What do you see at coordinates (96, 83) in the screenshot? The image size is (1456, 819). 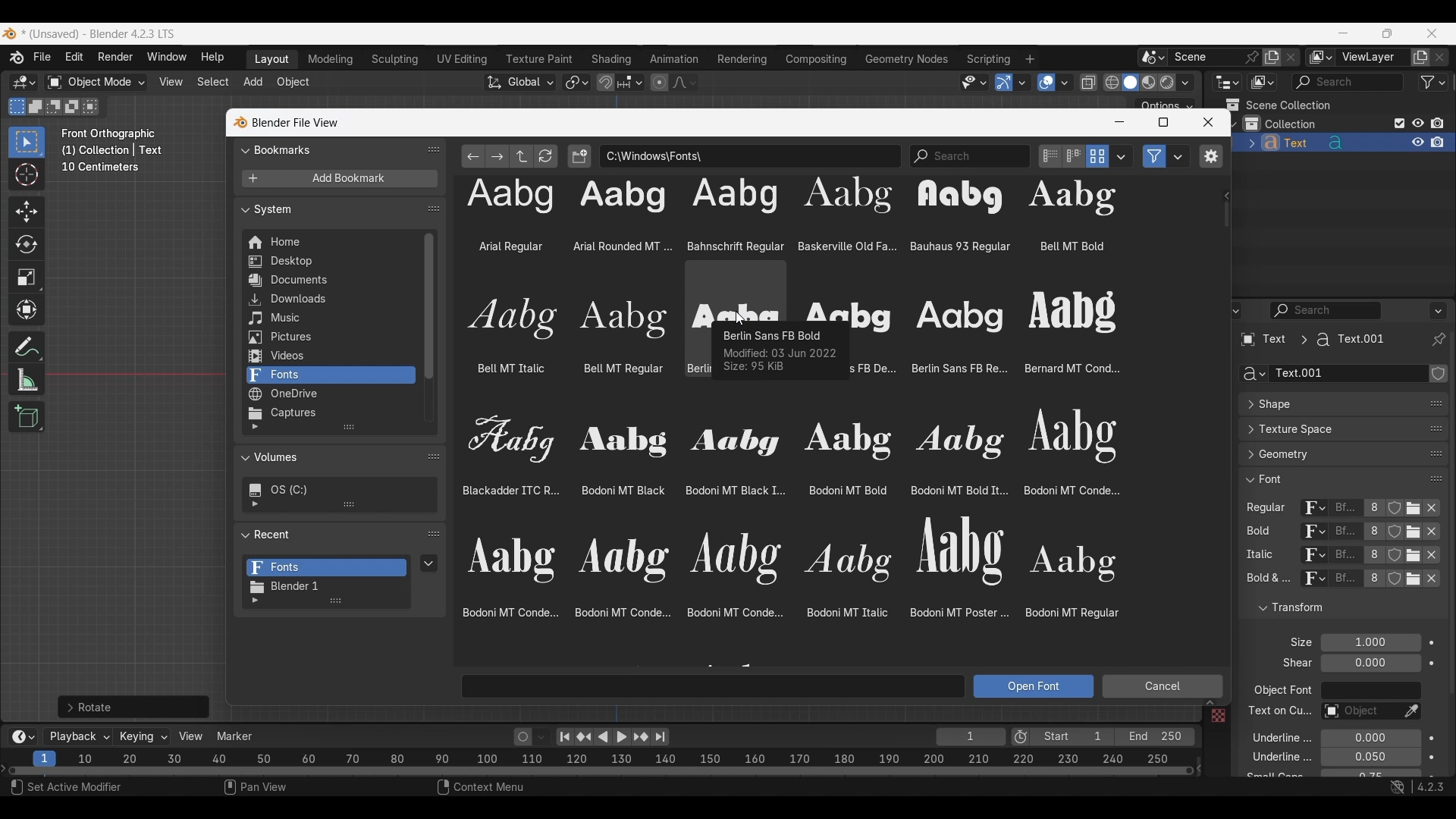 I see `Sets the object interaction mode` at bounding box center [96, 83].